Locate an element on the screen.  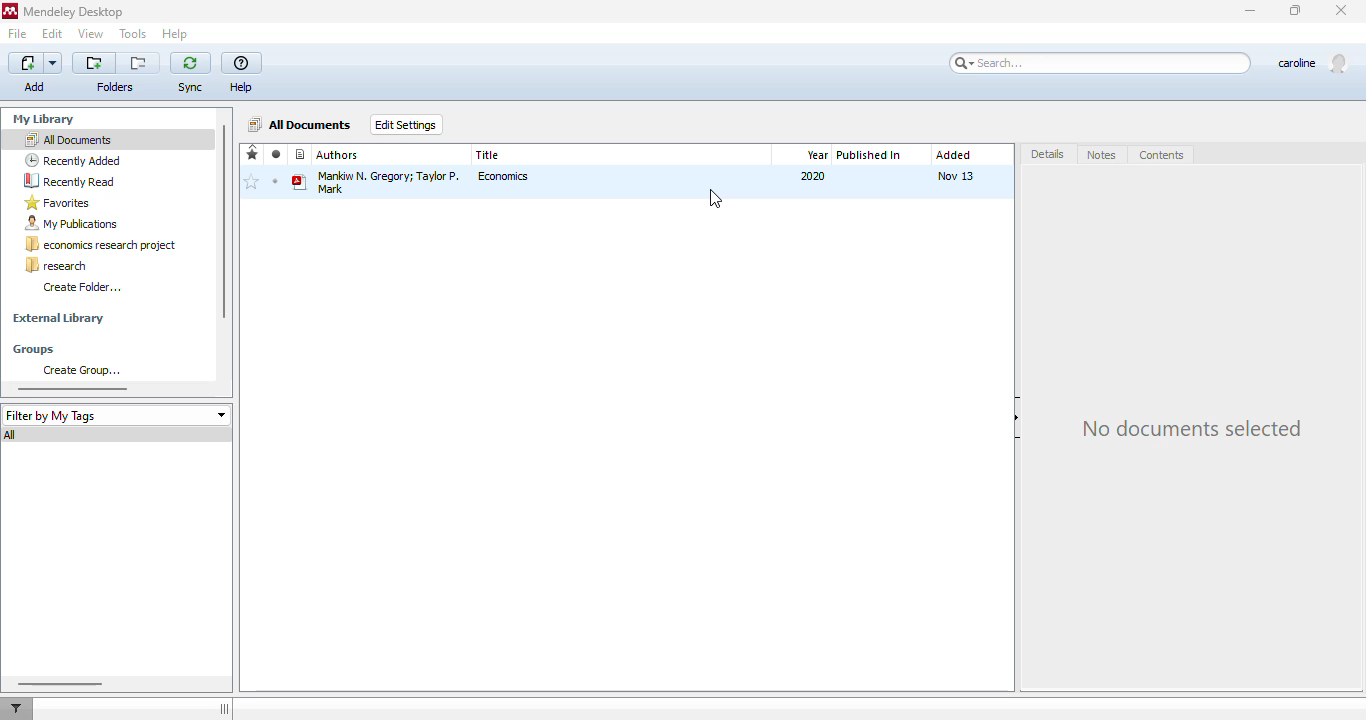
no document selected is located at coordinates (1194, 428).